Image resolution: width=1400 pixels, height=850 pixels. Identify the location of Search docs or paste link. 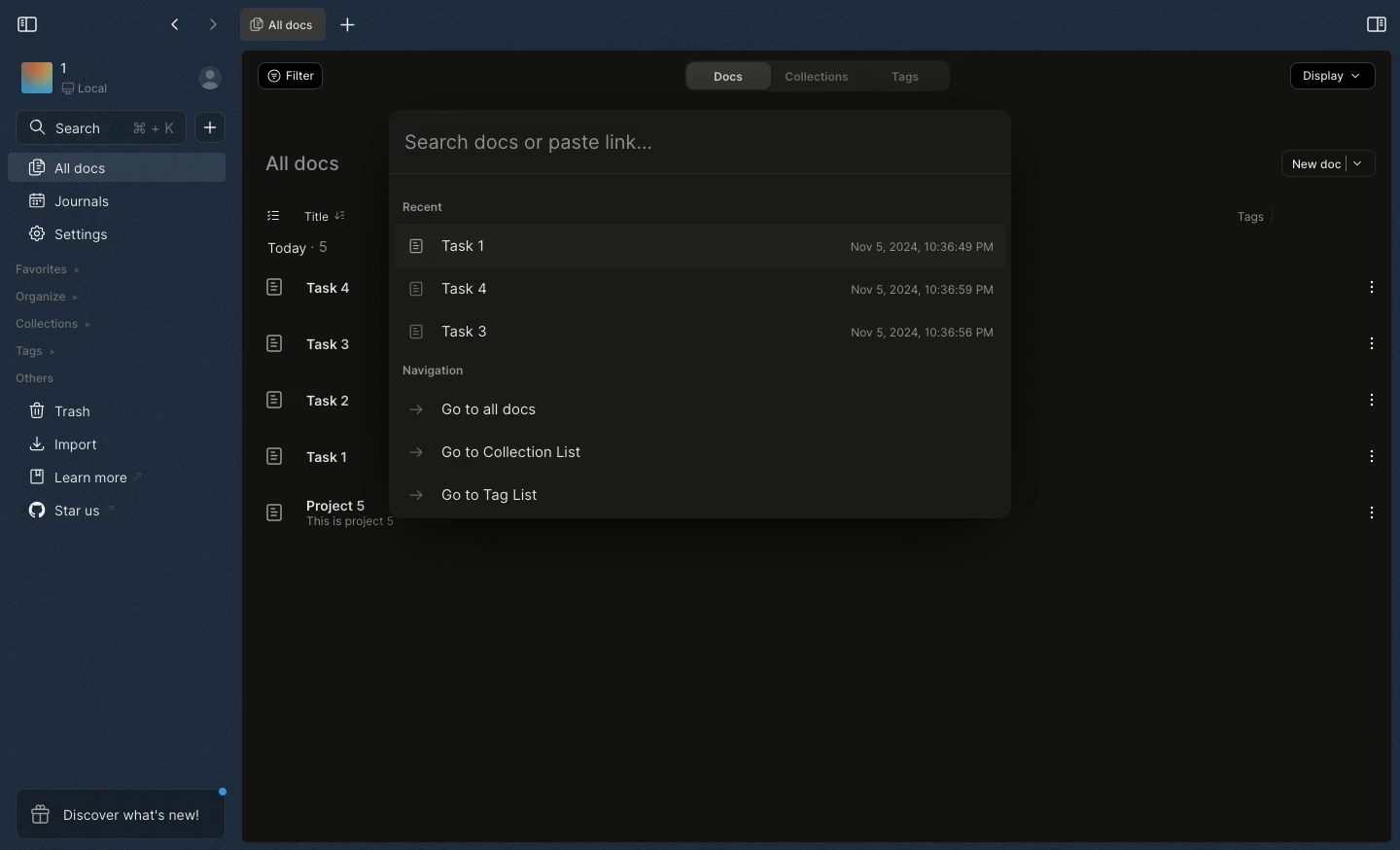
(699, 143).